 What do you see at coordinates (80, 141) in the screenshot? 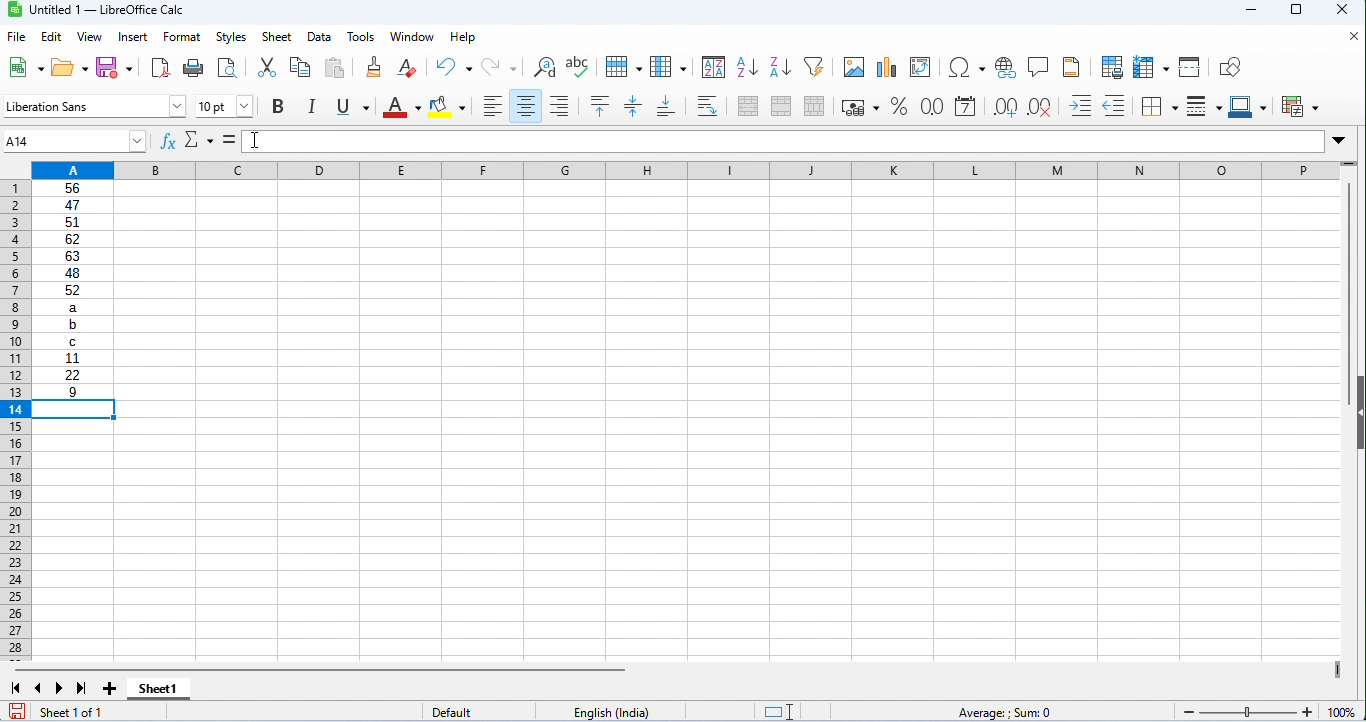
I see `input cell number` at bounding box center [80, 141].